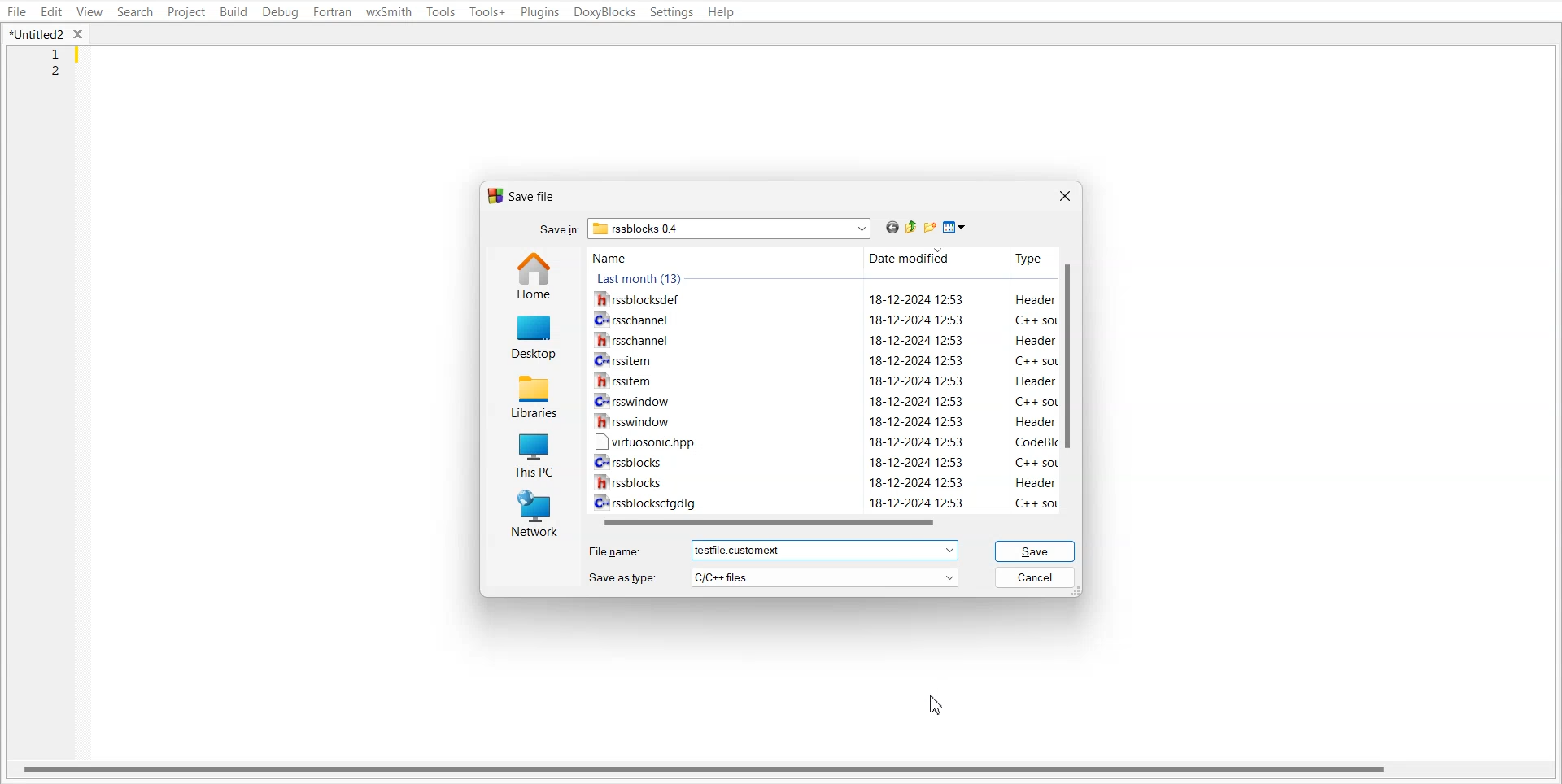  What do you see at coordinates (618, 549) in the screenshot?
I see `File name` at bounding box center [618, 549].